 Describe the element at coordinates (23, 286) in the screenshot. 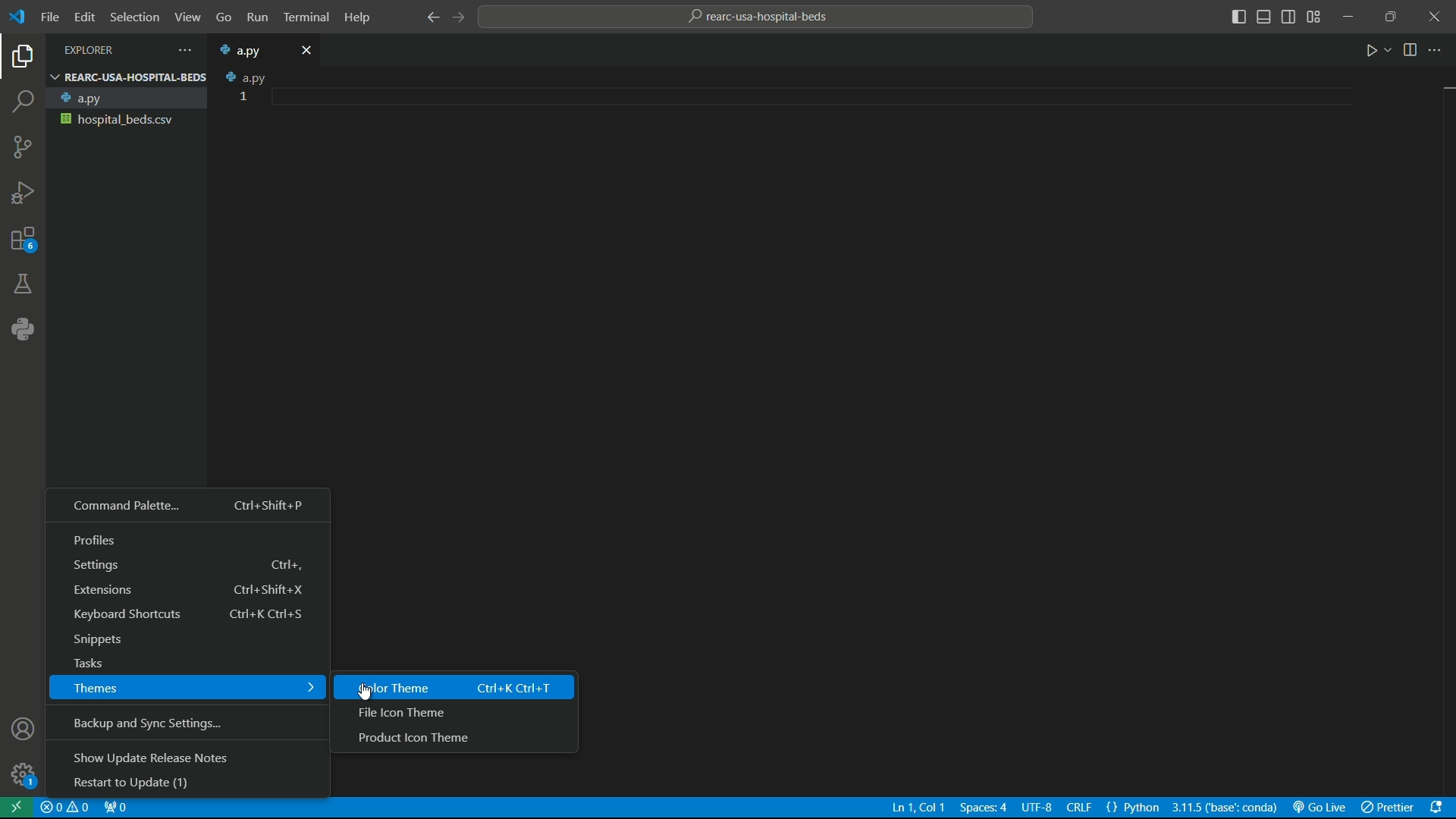

I see `testing` at that location.